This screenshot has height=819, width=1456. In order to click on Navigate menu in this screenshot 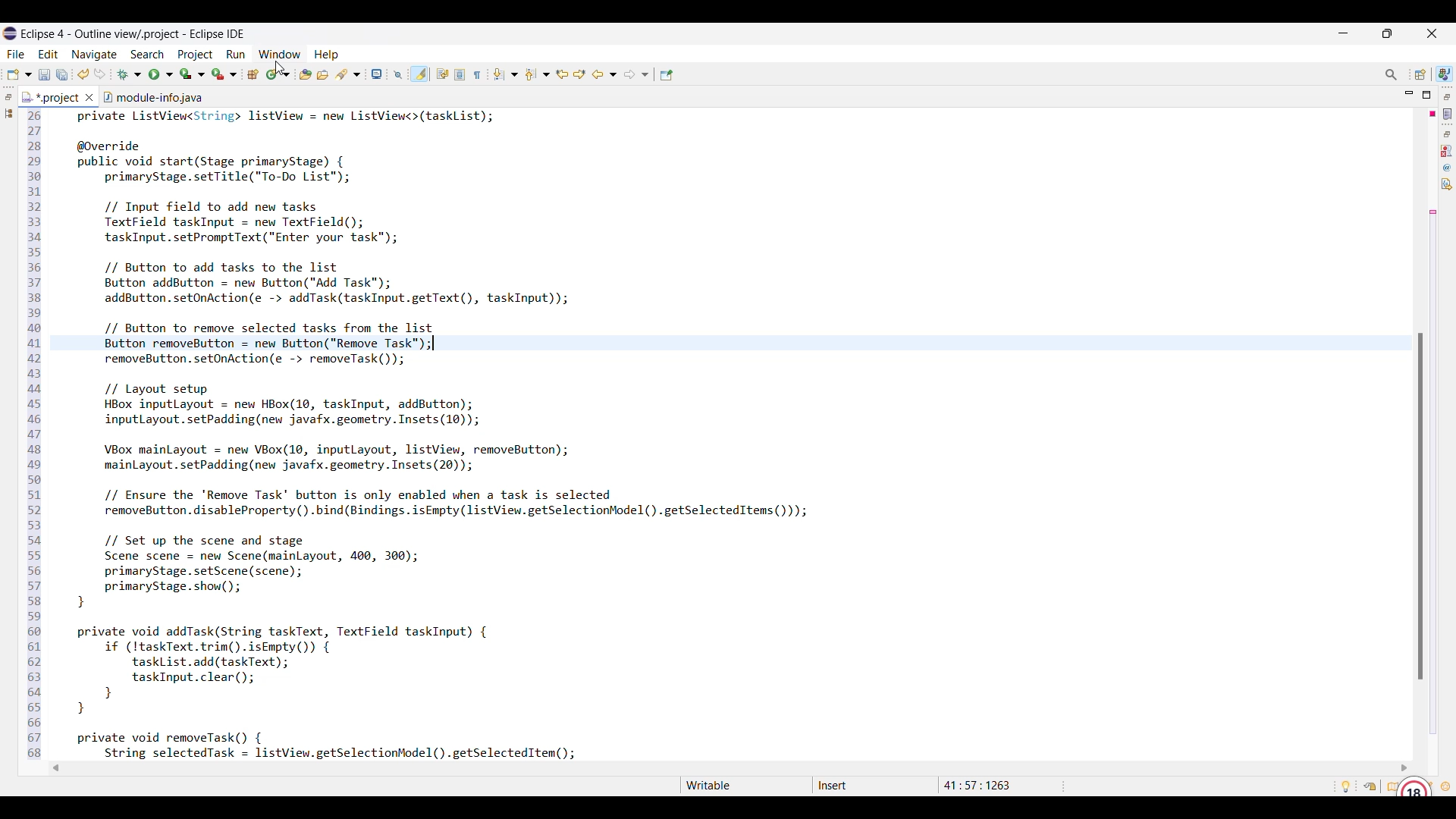, I will do `click(94, 55)`.